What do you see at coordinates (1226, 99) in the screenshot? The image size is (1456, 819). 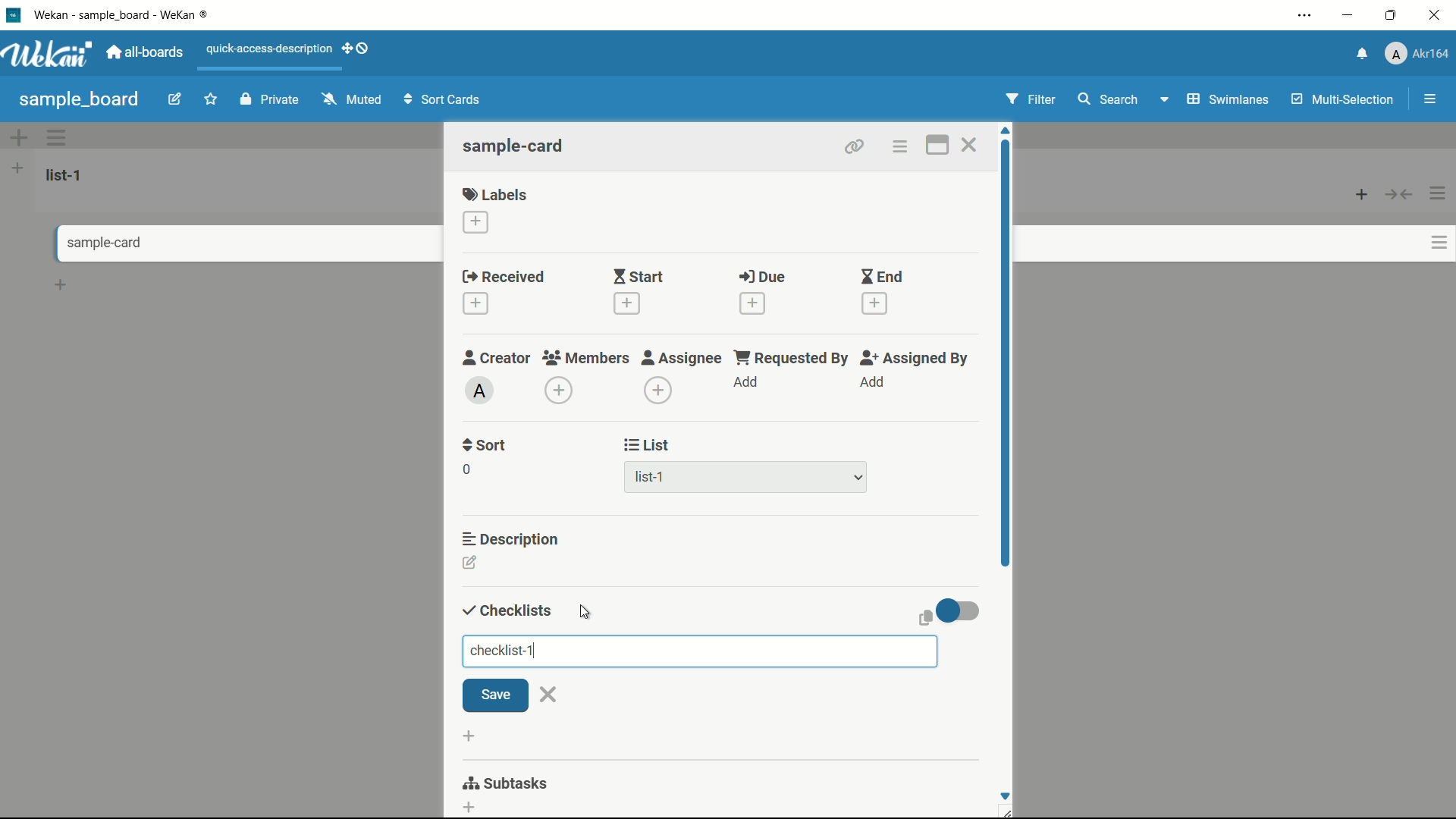 I see `swimlanes` at bounding box center [1226, 99].